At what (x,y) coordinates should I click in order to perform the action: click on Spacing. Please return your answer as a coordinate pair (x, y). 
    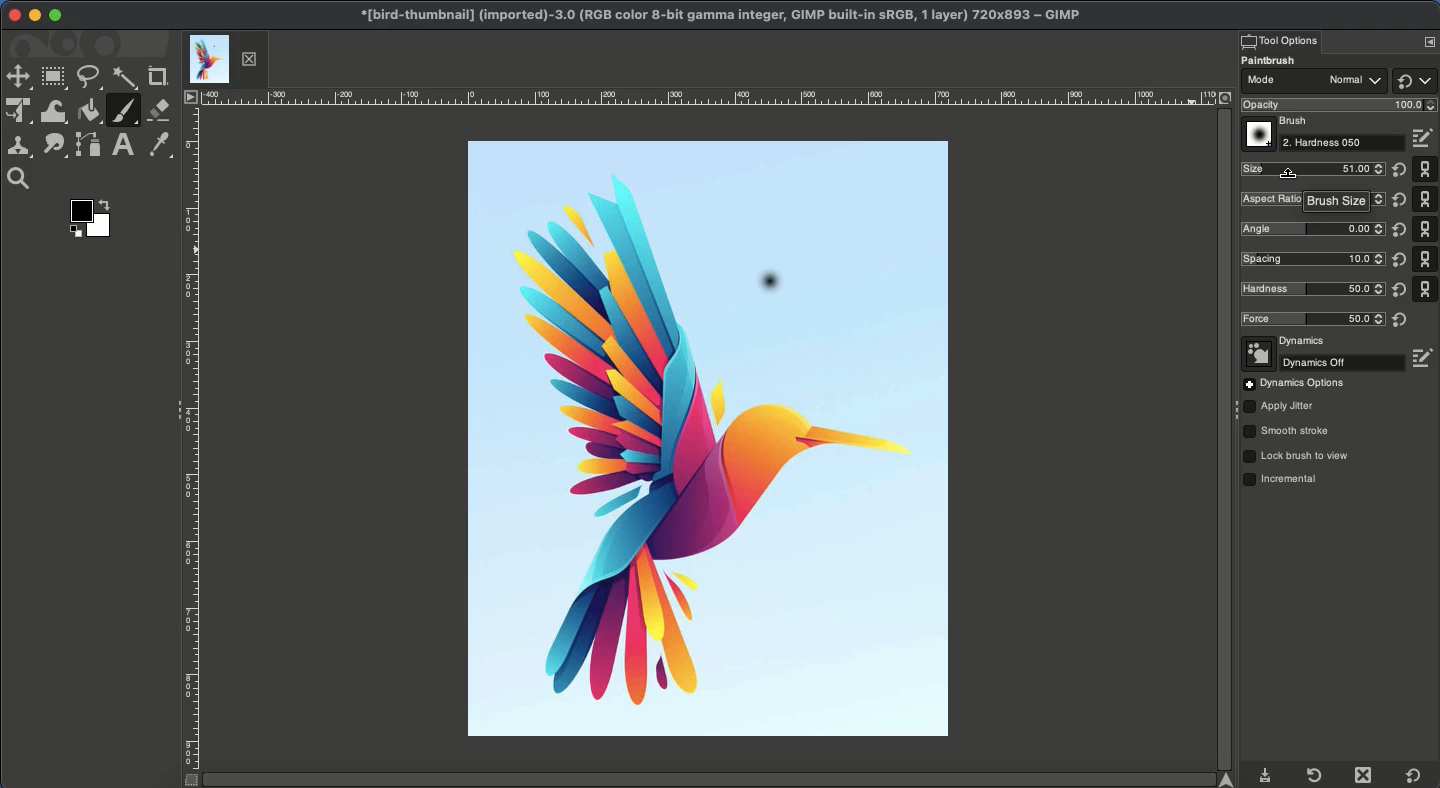
    Looking at the image, I should click on (1310, 258).